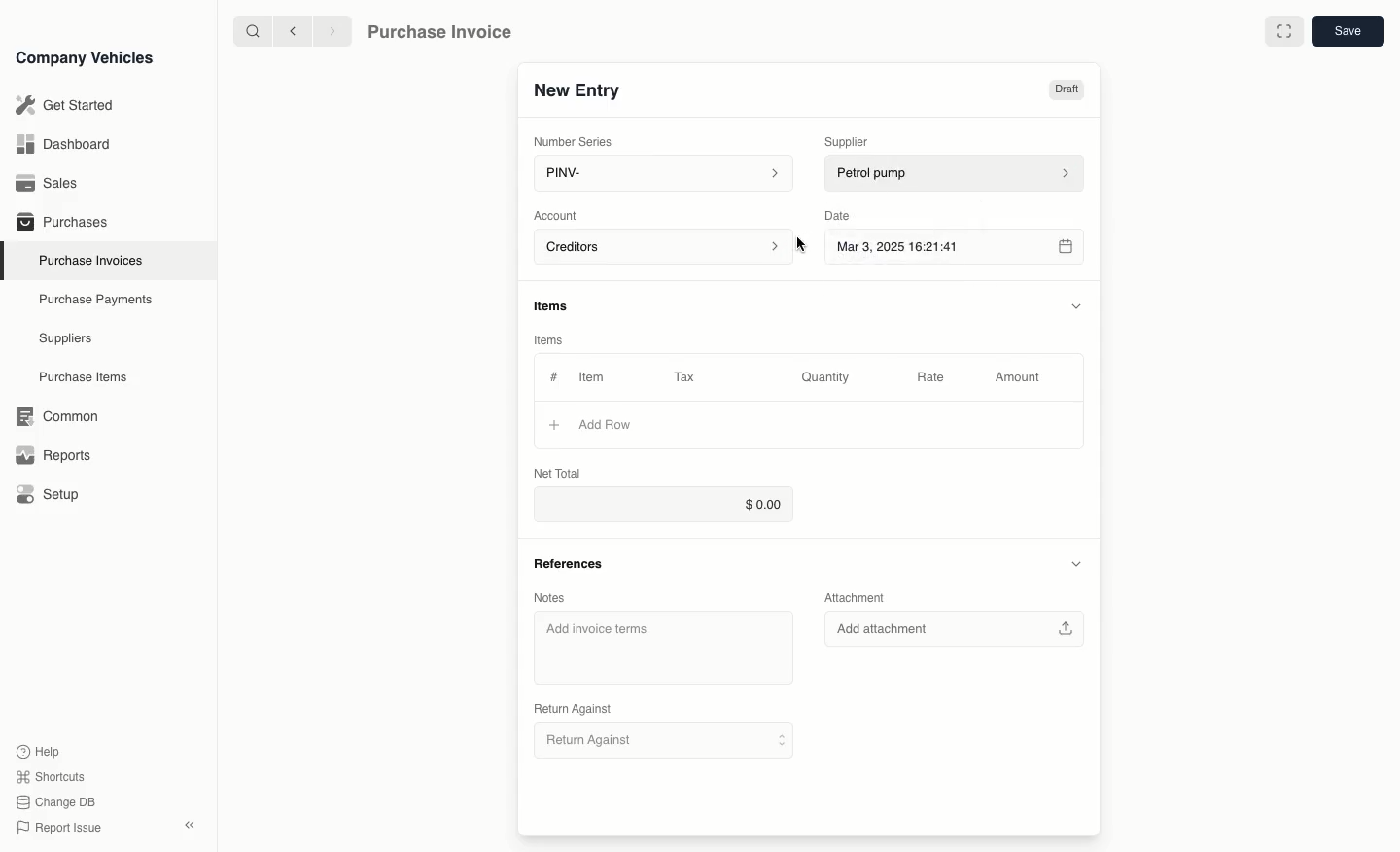 The height and width of the screenshot is (852, 1400). I want to click on Account, so click(556, 214).